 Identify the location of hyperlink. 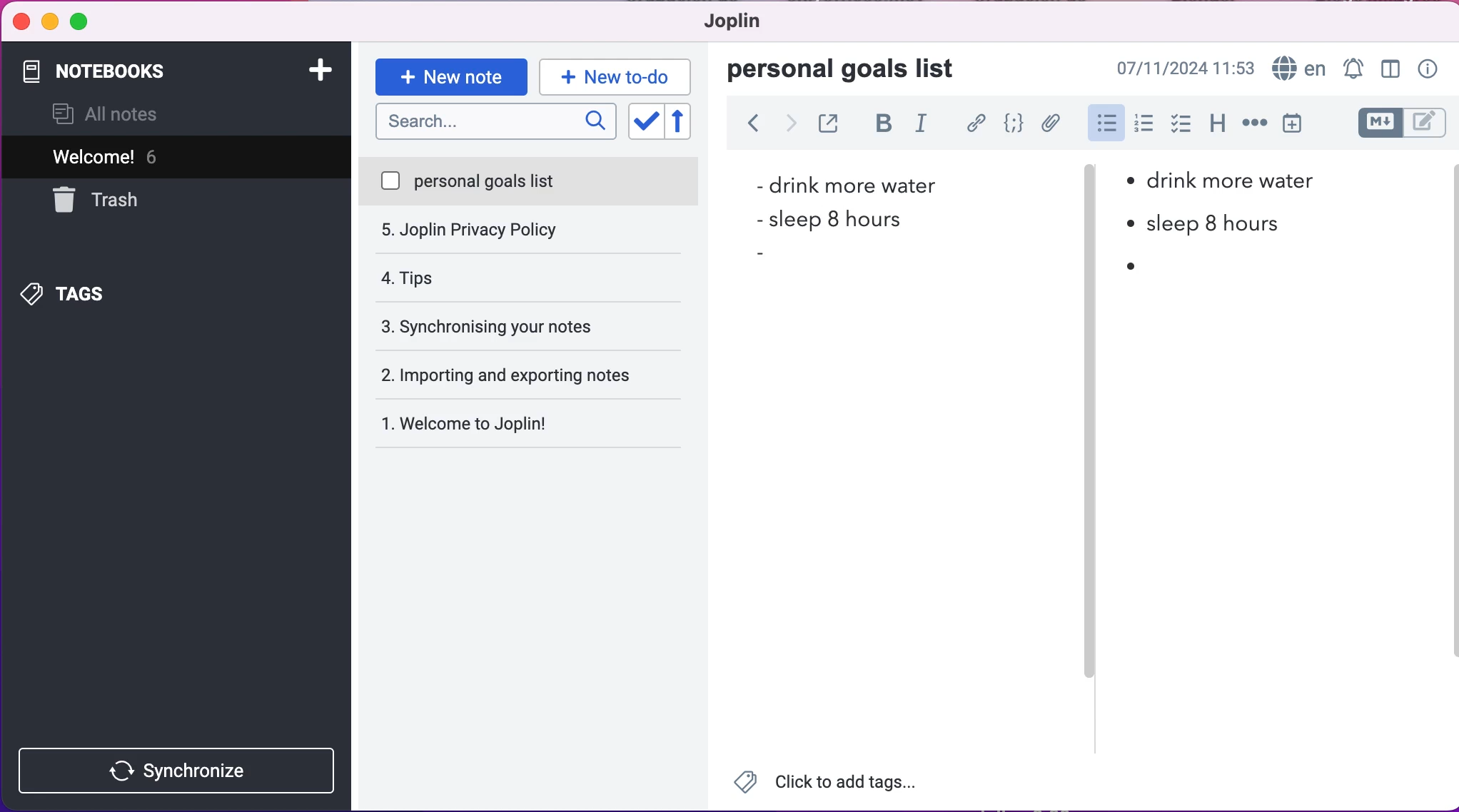
(976, 123).